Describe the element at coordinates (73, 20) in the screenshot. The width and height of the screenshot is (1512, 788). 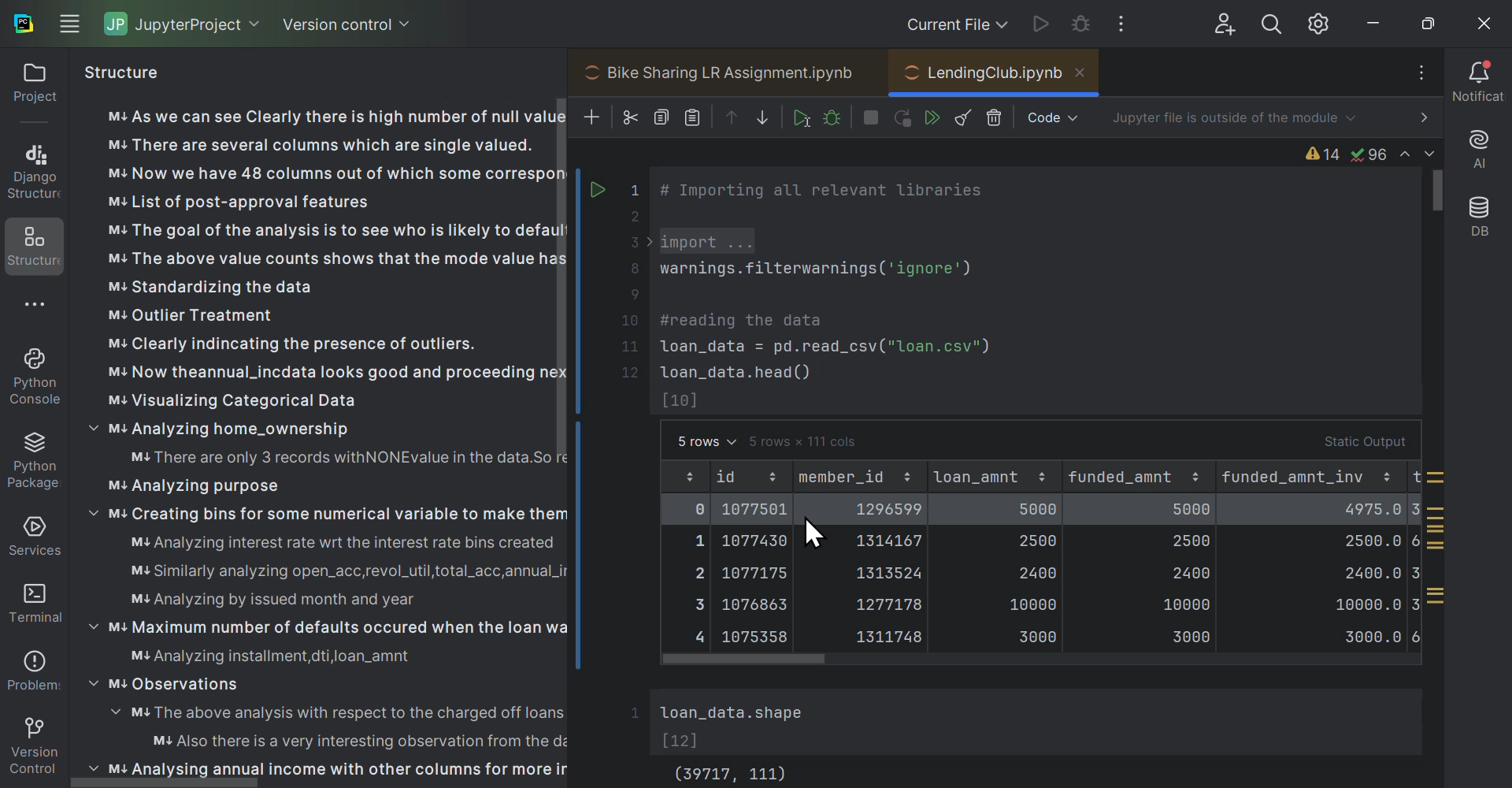
I see `Windows navigation options` at that location.